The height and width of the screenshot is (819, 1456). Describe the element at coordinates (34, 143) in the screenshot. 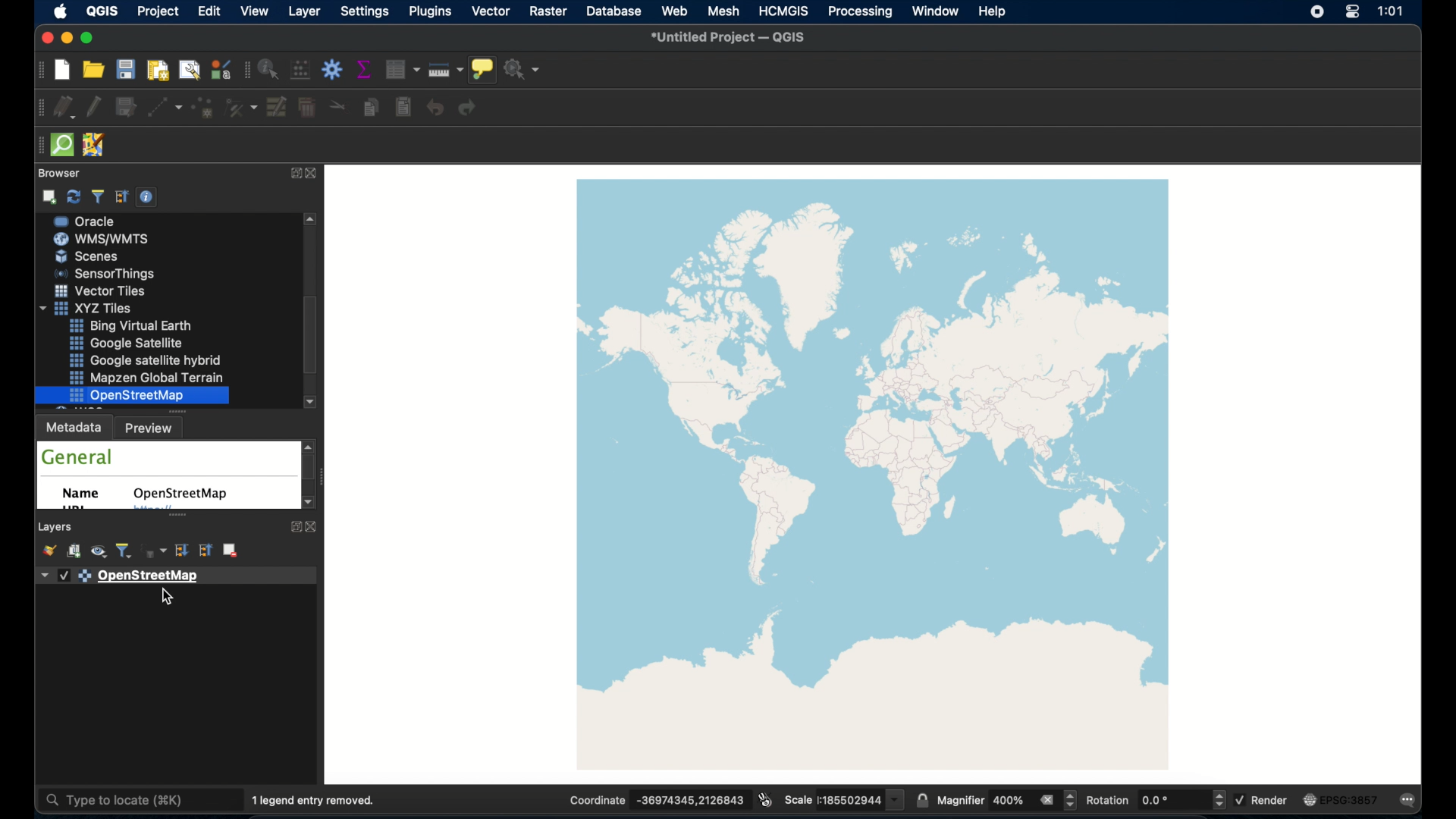

I see `drag handle` at that location.